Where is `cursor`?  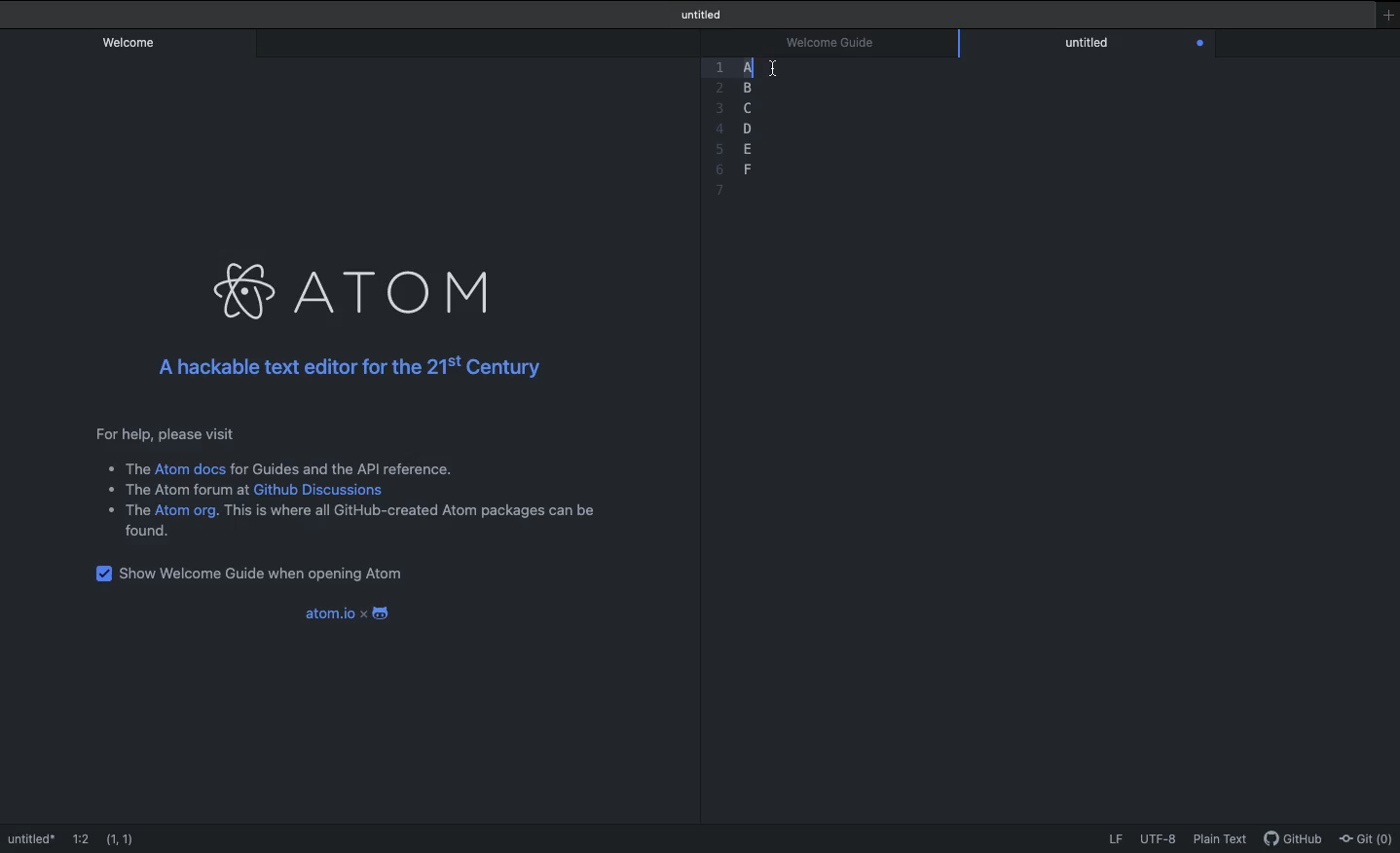
cursor is located at coordinates (772, 67).